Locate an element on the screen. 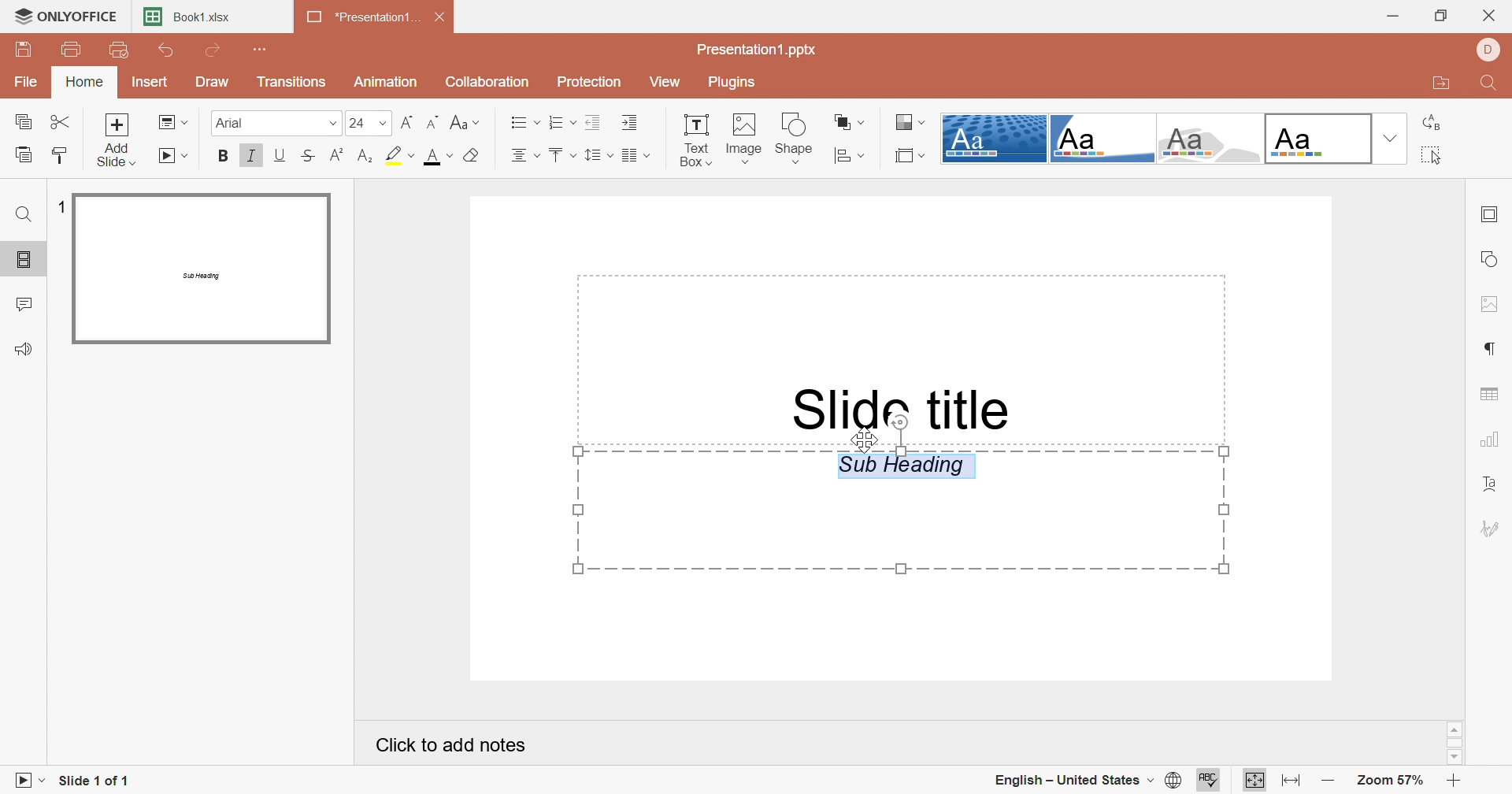 Image resolution: width=1512 pixels, height=794 pixels. Increase Indent is located at coordinates (629, 121).